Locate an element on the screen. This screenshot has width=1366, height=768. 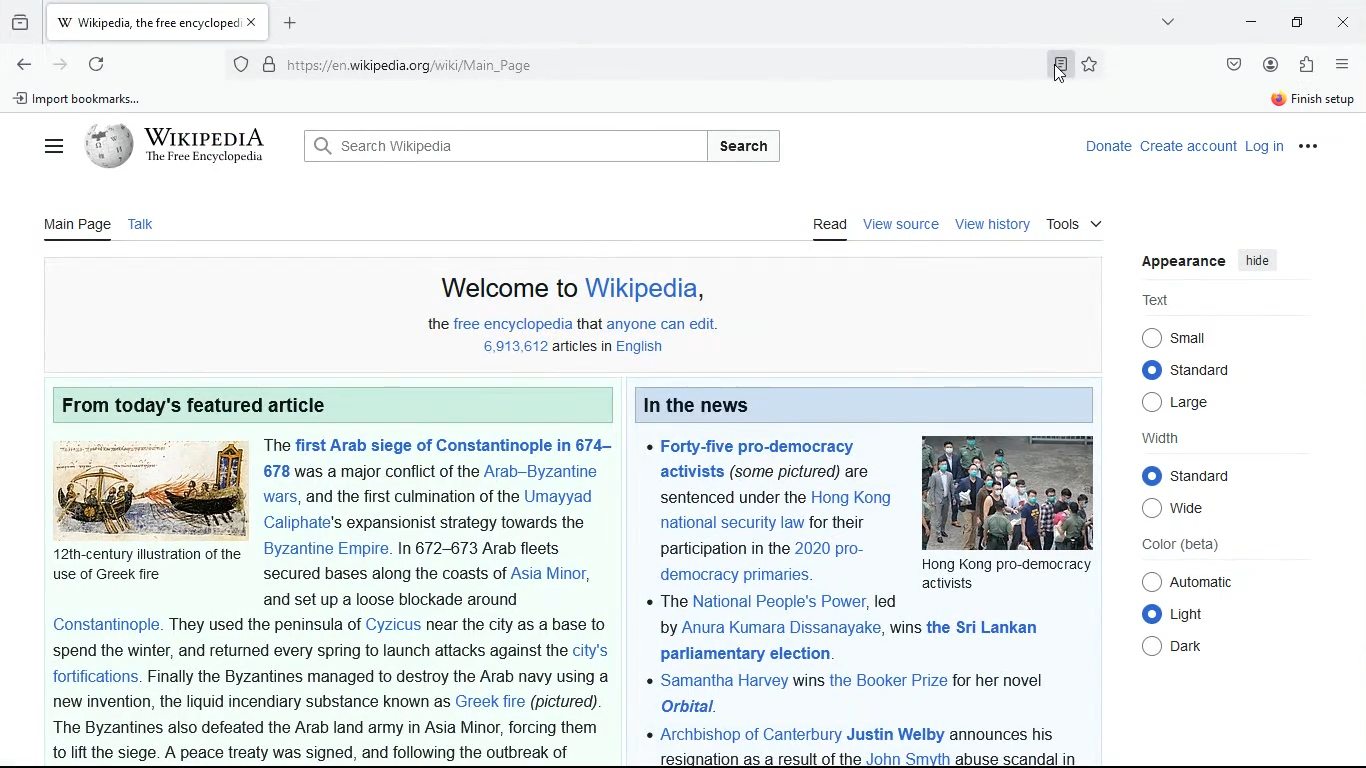
import bookmarks... is located at coordinates (83, 99).